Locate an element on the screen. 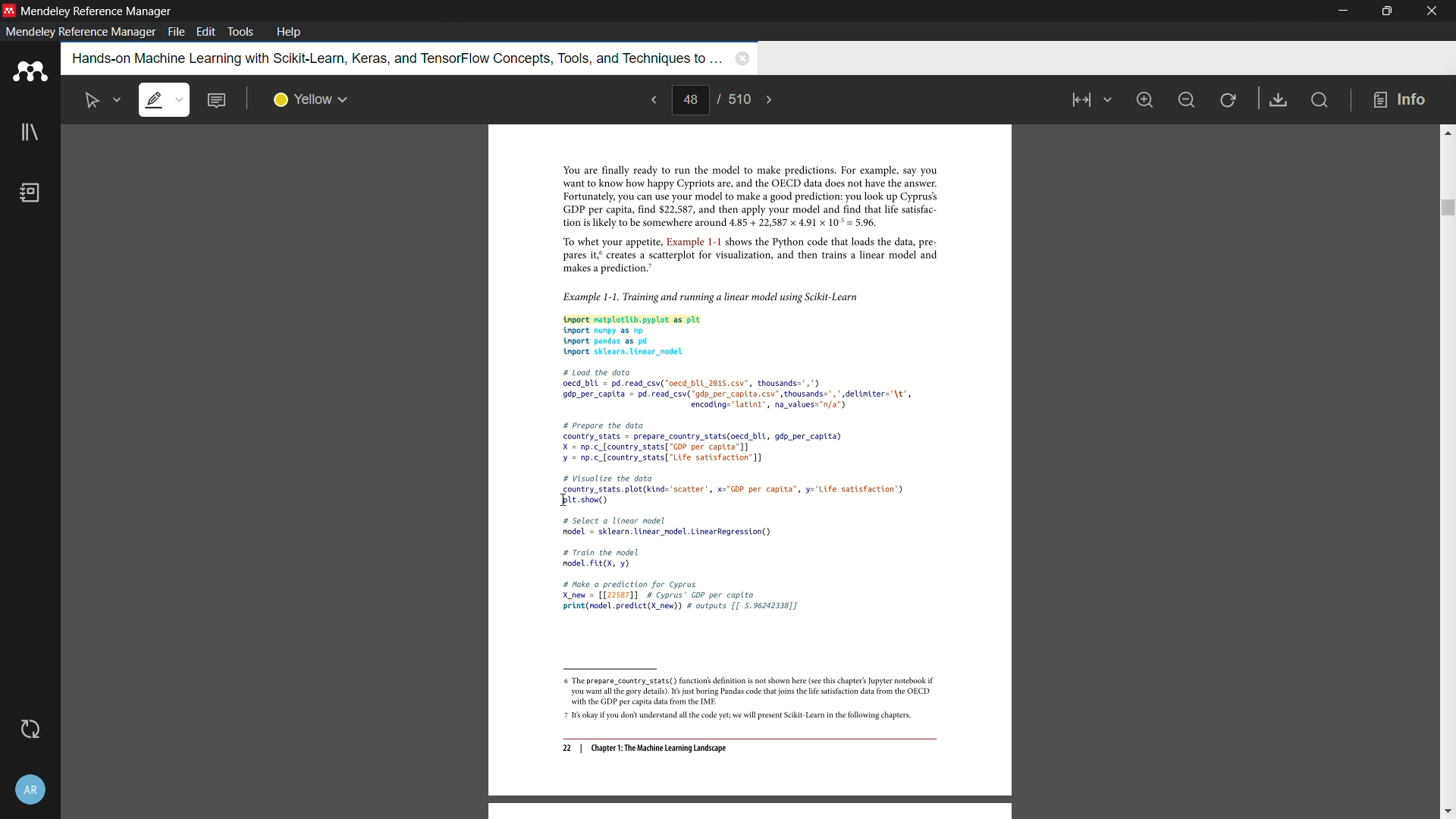 Image resolution: width=1456 pixels, height=819 pixels. sync is located at coordinates (29, 732).